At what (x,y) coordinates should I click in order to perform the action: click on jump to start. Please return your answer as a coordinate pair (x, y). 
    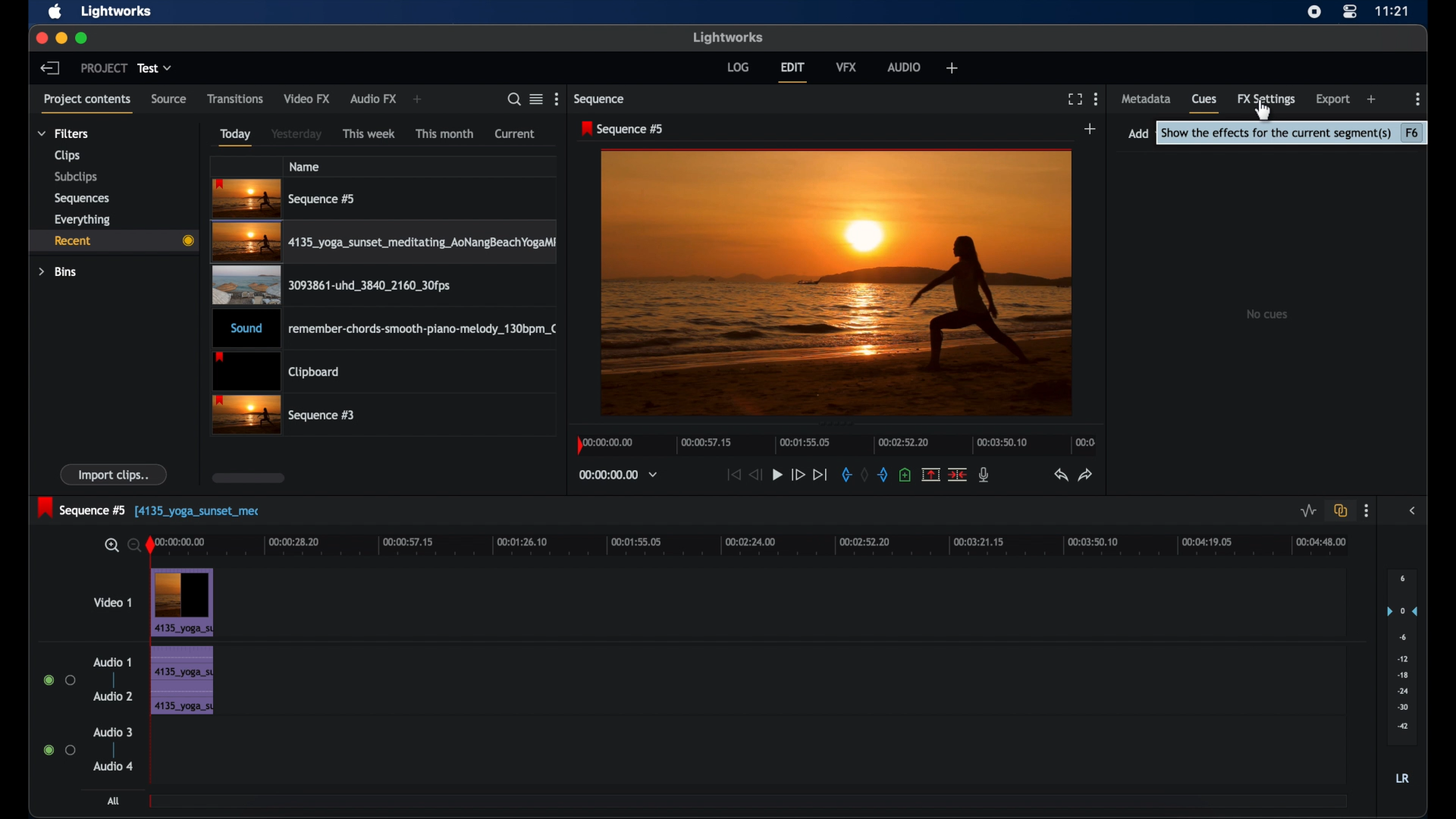
    Looking at the image, I should click on (732, 474).